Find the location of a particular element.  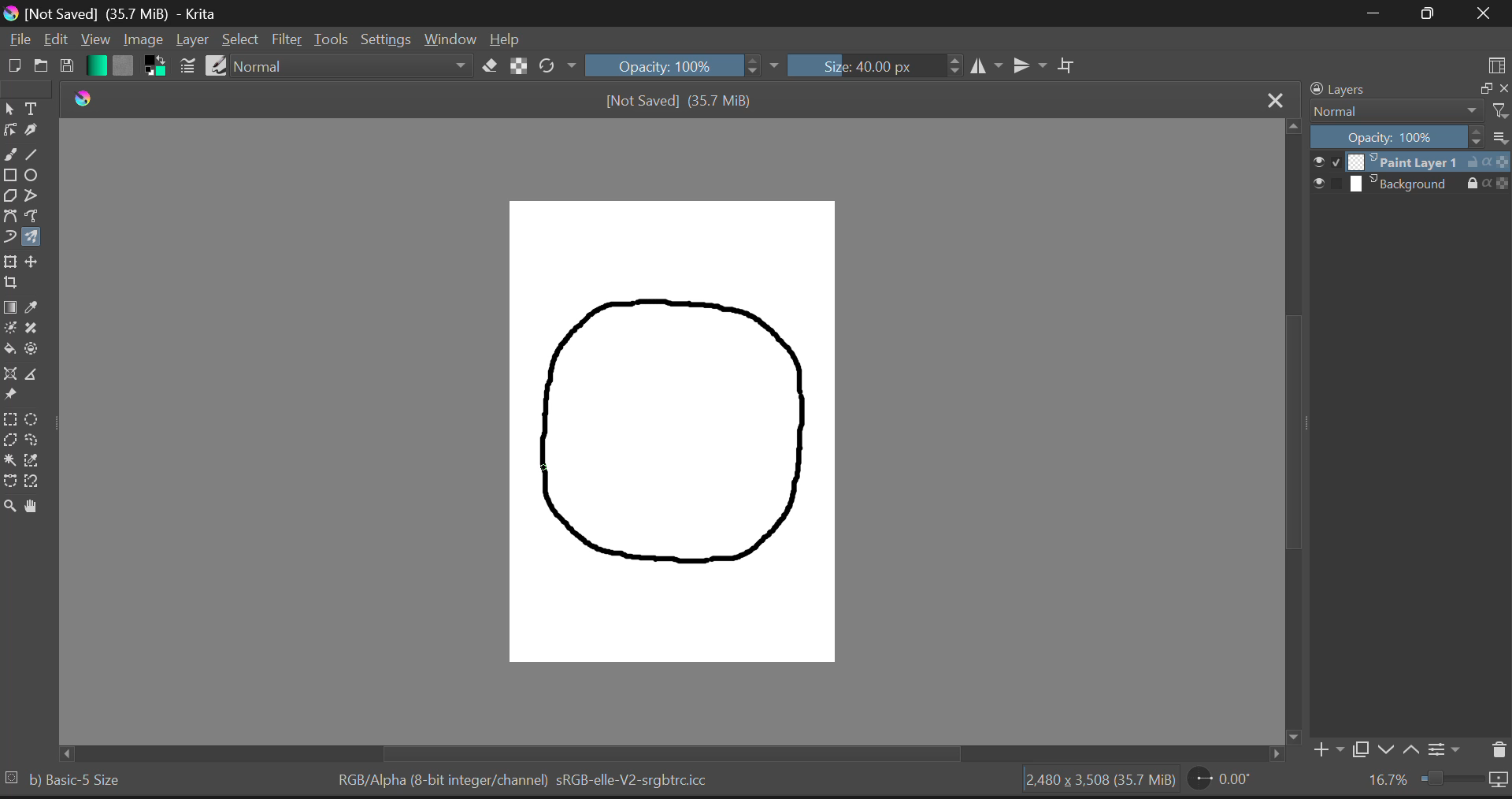

Eyedropper is located at coordinates (39, 304).